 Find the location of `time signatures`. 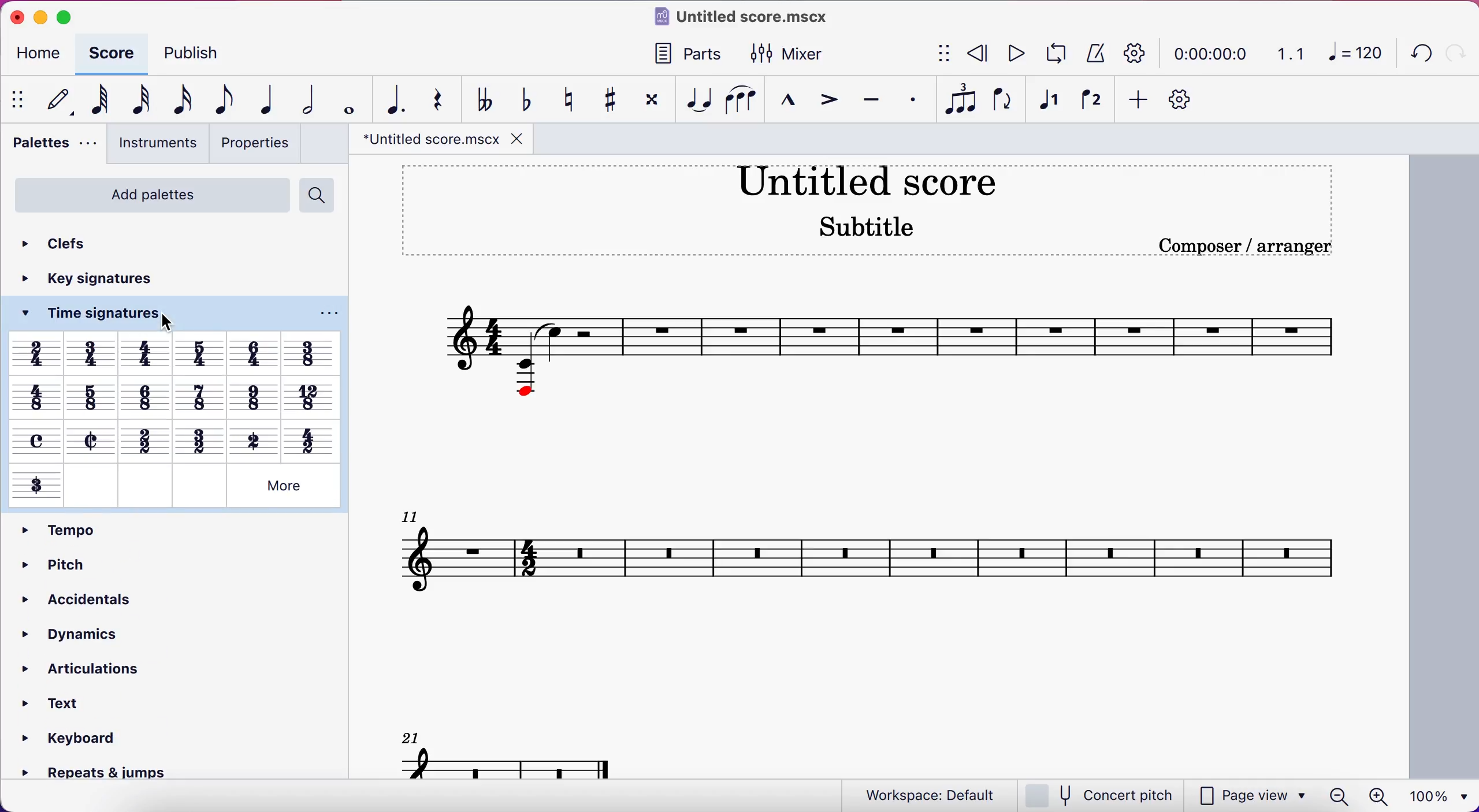

time signatures is located at coordinates (80, 314).